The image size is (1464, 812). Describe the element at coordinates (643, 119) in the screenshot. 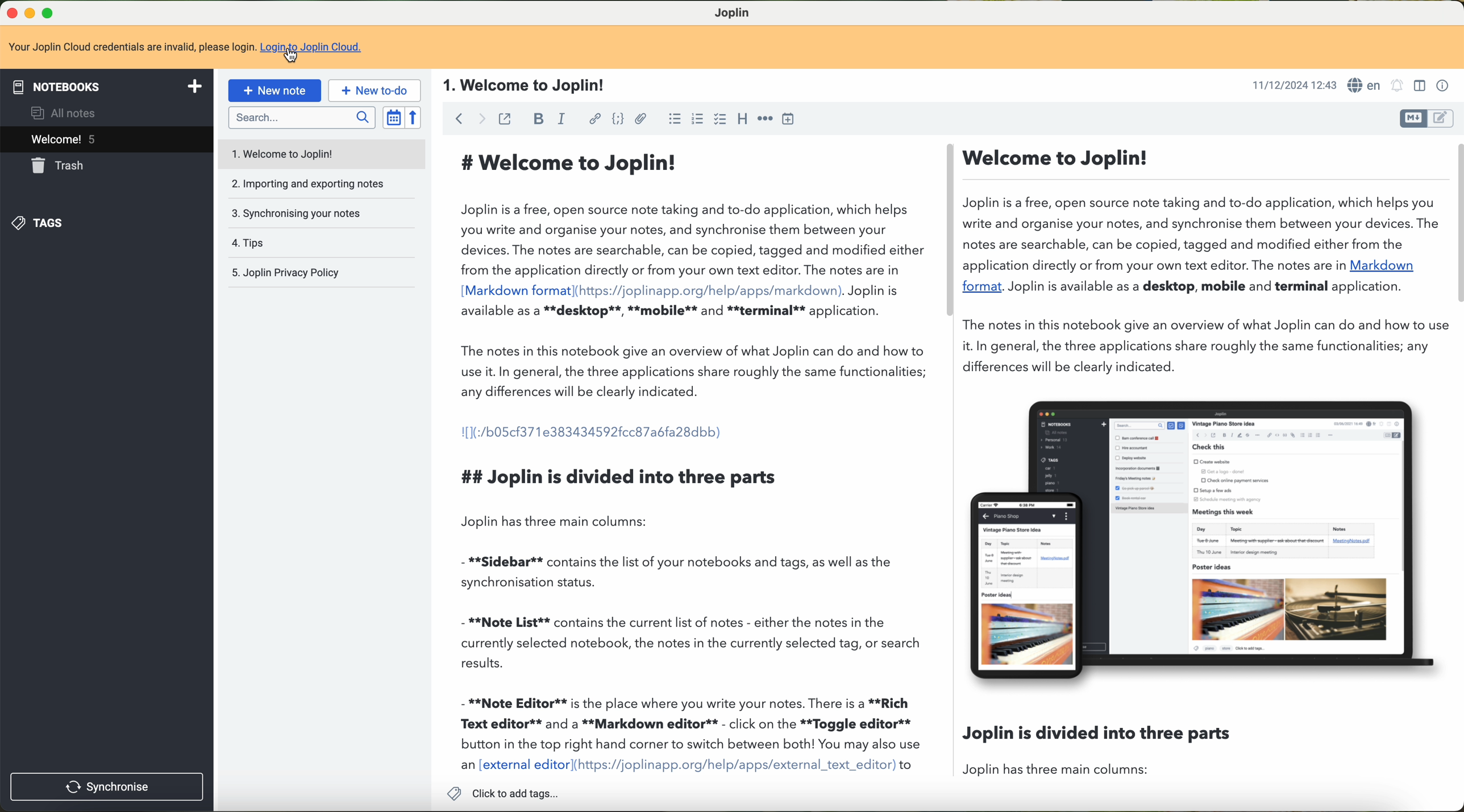

I see `attach file` at that location.